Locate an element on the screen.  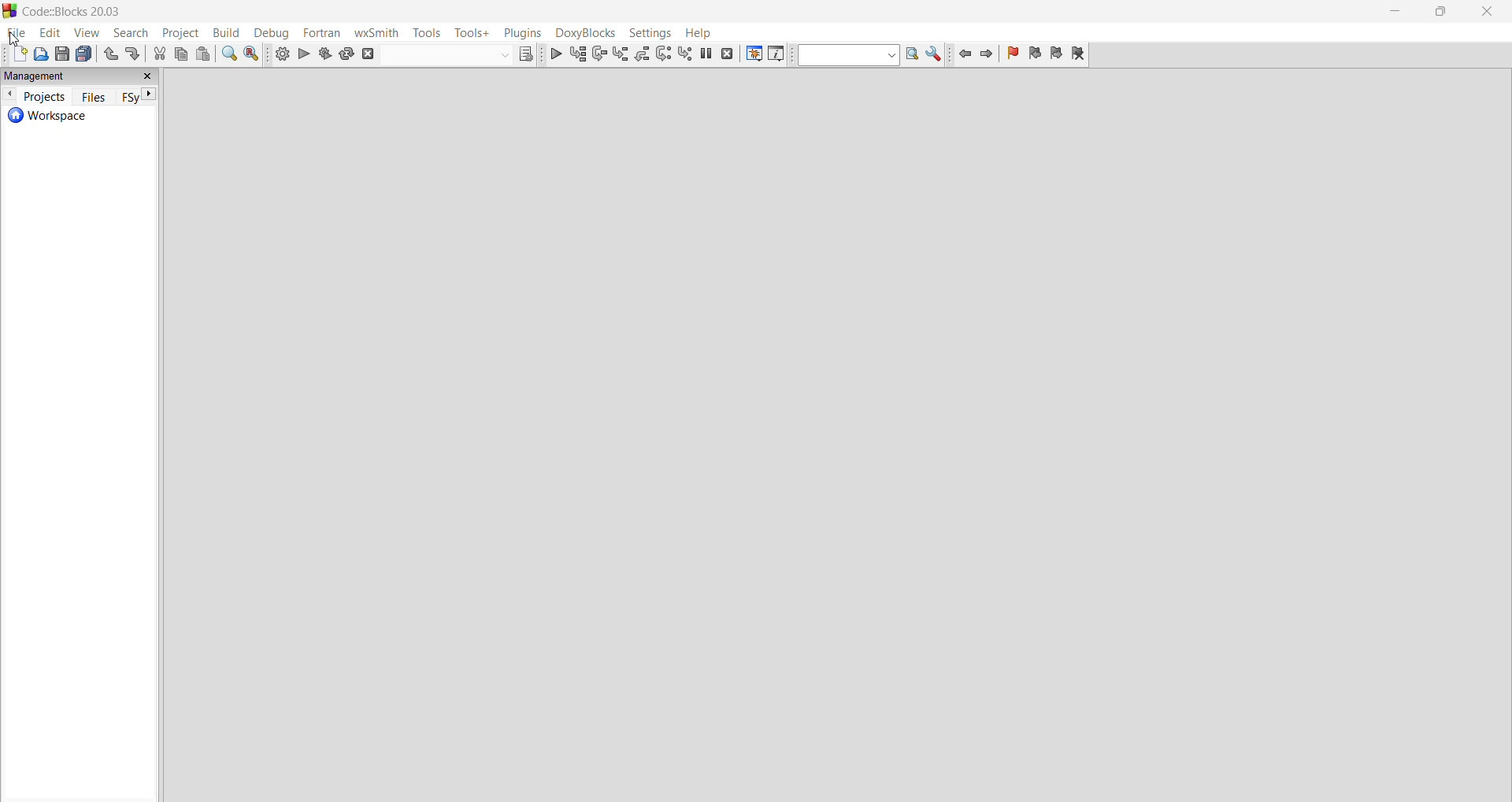
stop debugger is located at coordinates (727, 54).